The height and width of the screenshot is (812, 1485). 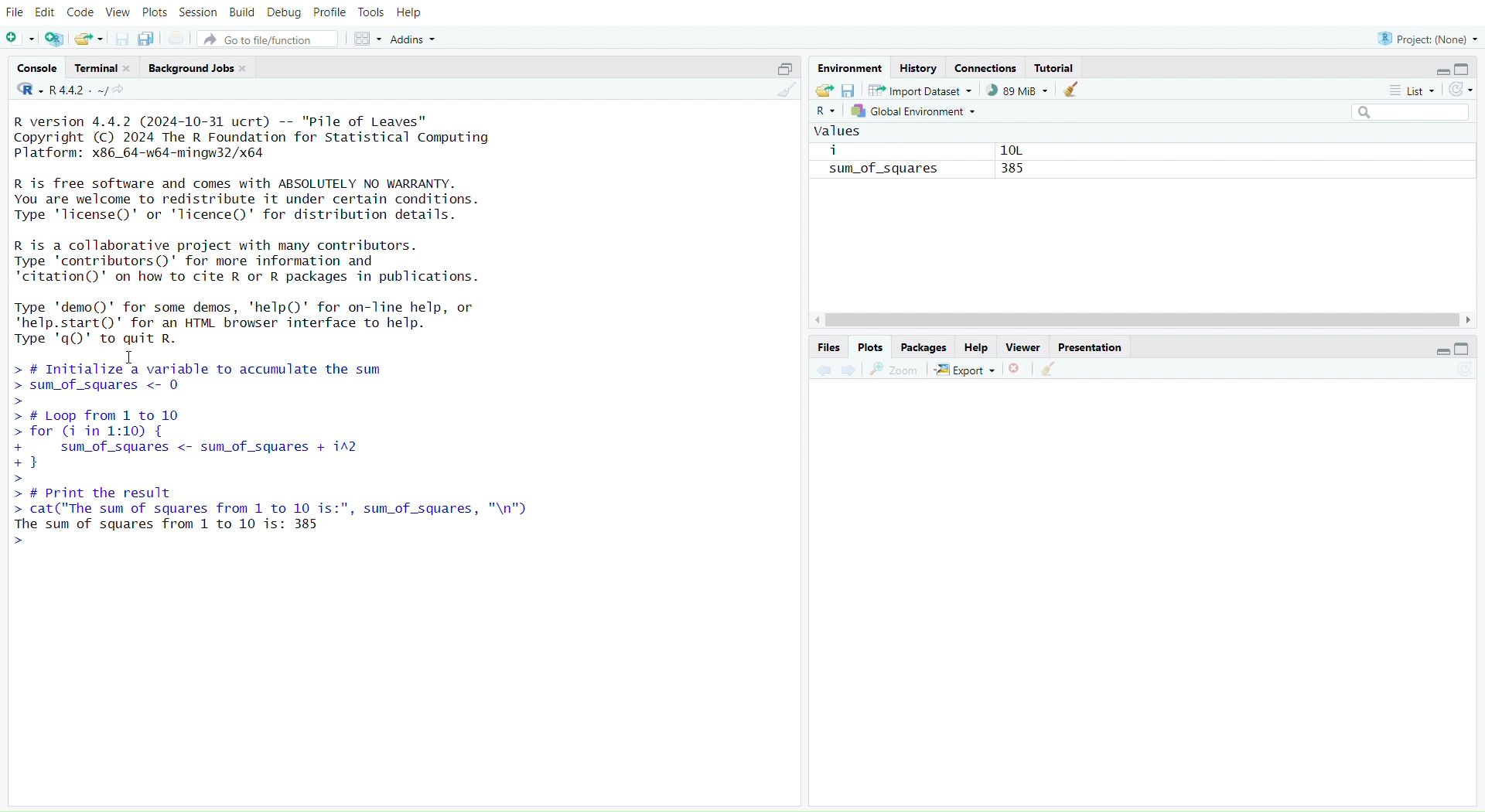 I want to click on go to file/function, so click(x=268, y=40).